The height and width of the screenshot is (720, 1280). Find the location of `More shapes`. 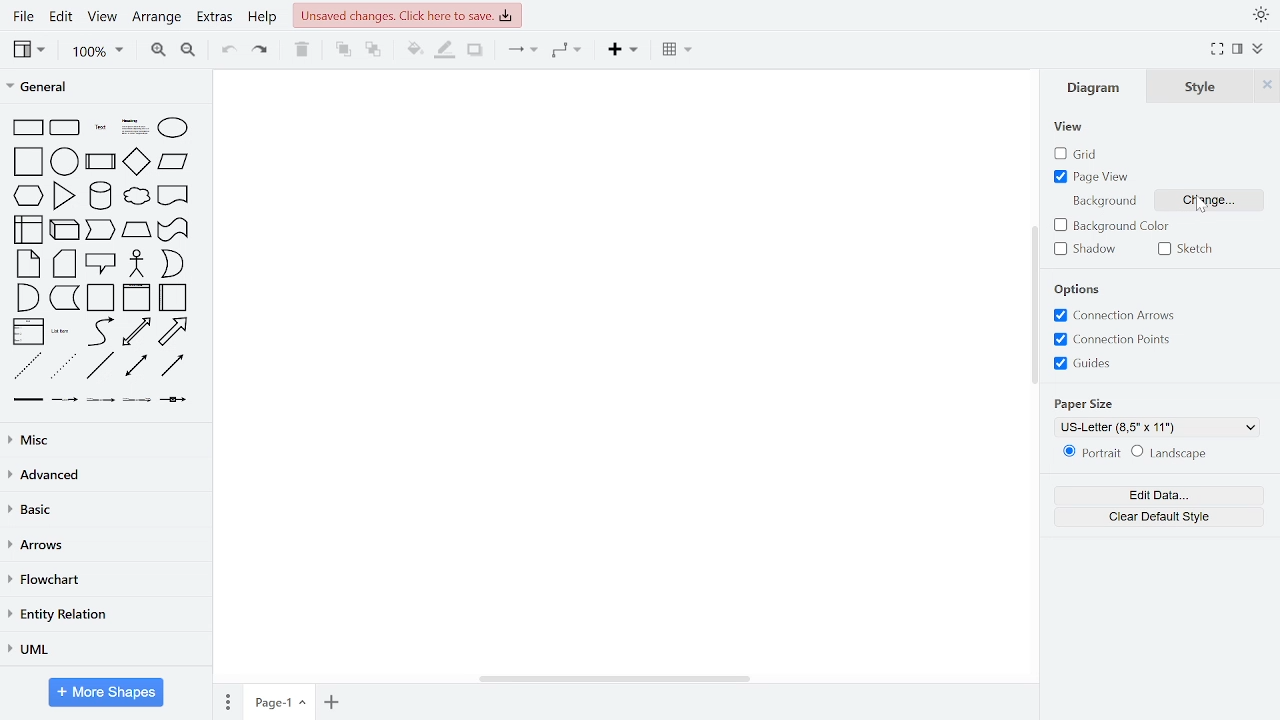

More shapes is located at coordinates (106, 692).